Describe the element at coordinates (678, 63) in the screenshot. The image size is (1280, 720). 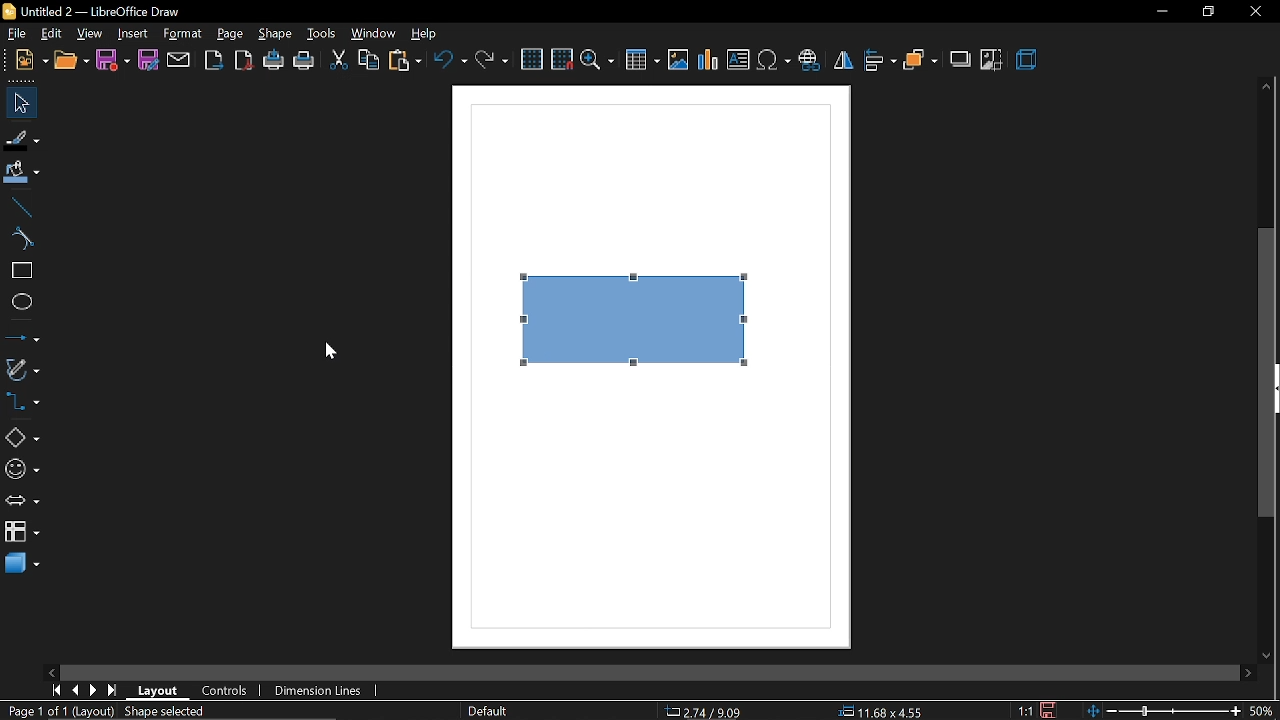
I see `insert image` at that location.